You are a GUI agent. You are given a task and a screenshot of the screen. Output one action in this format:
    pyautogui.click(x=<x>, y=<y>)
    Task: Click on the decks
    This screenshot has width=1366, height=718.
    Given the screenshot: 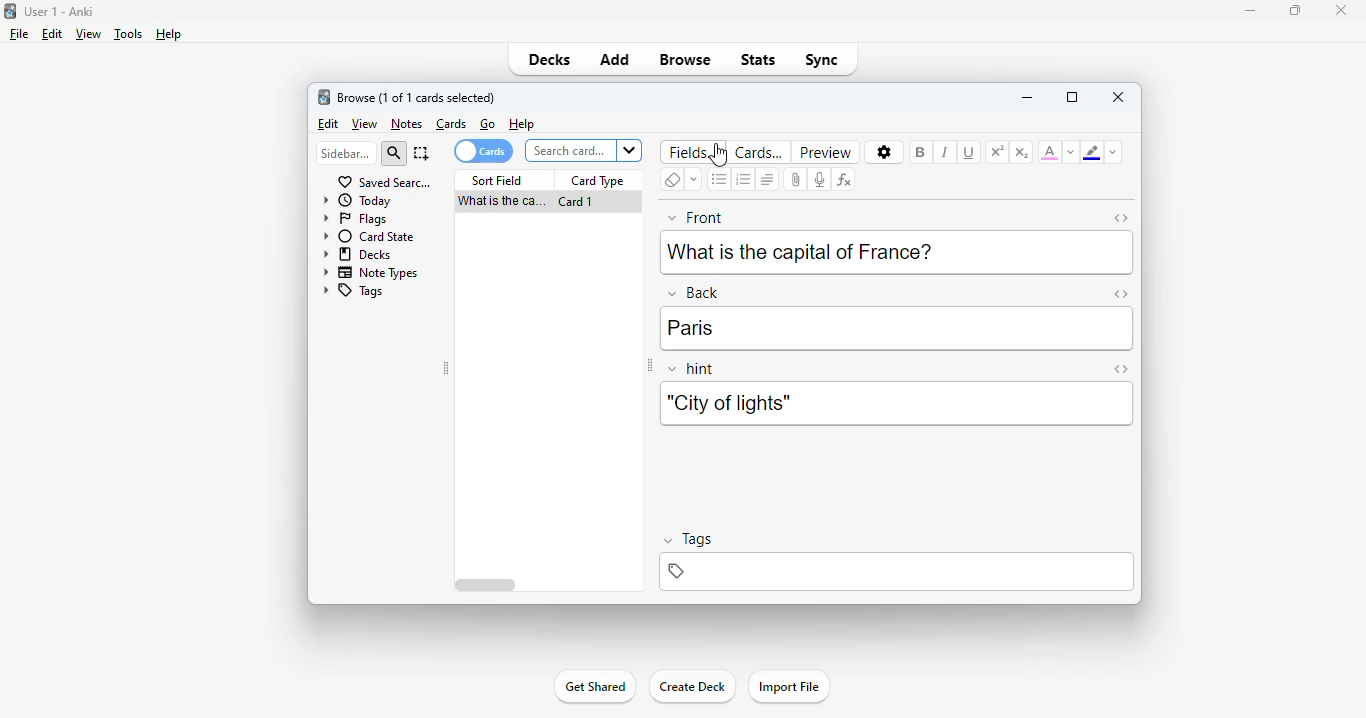 What is the action you would take?
    pyautogui.click(x=359, y=253)
    